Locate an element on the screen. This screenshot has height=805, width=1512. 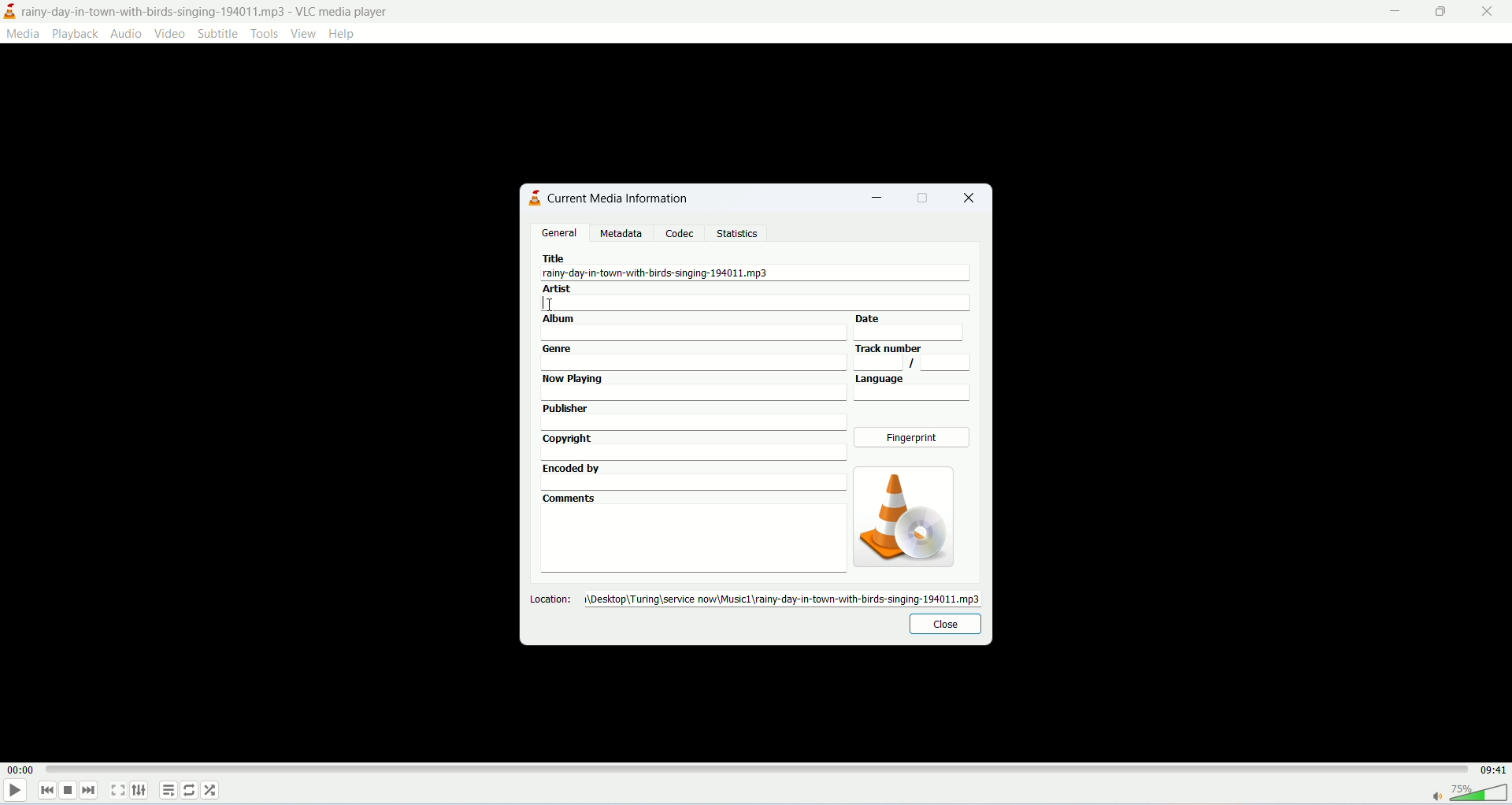
album is located at coordinates (692, 327).